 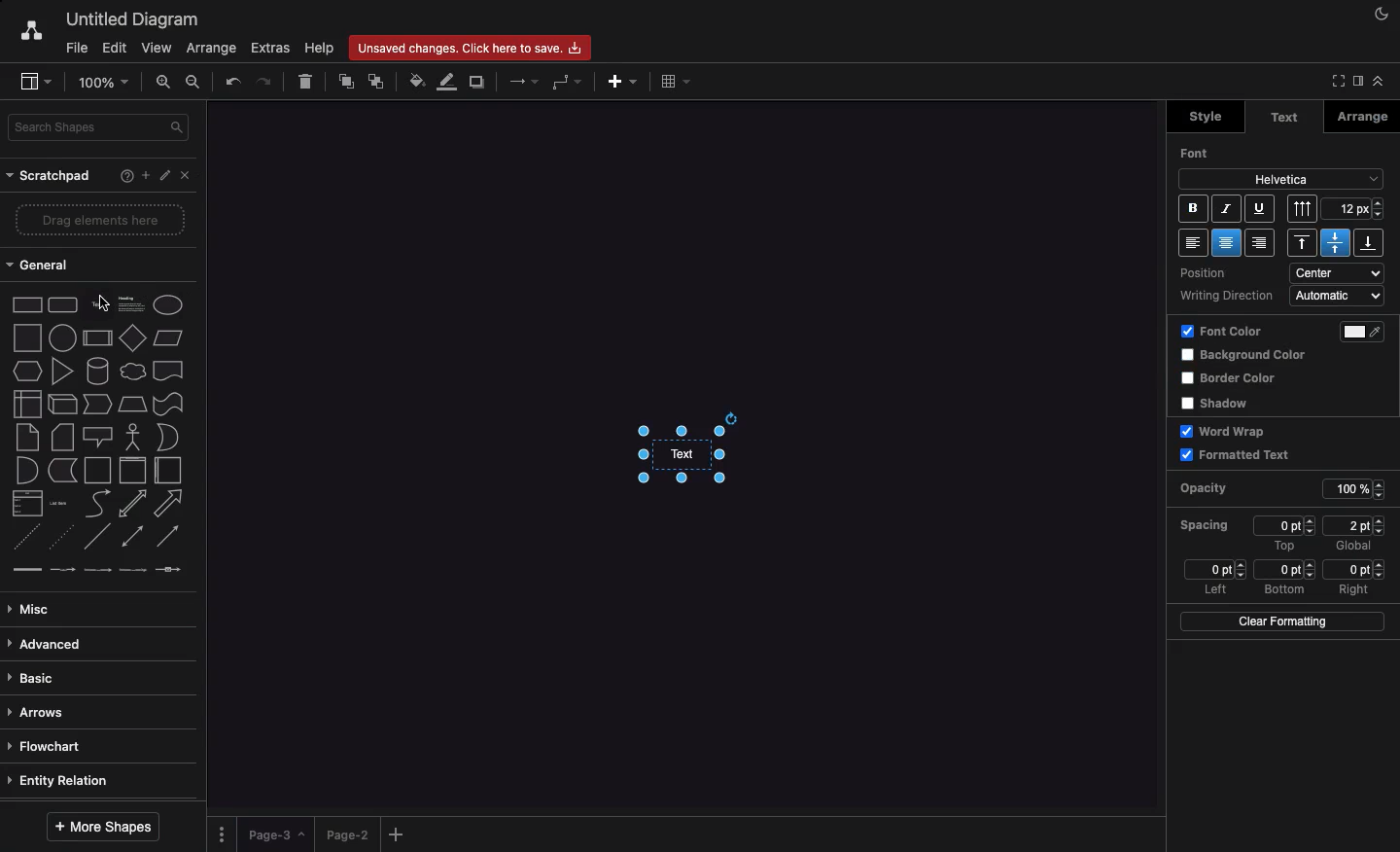 I want to click on Formatted text, so click(x=1236, y=454).